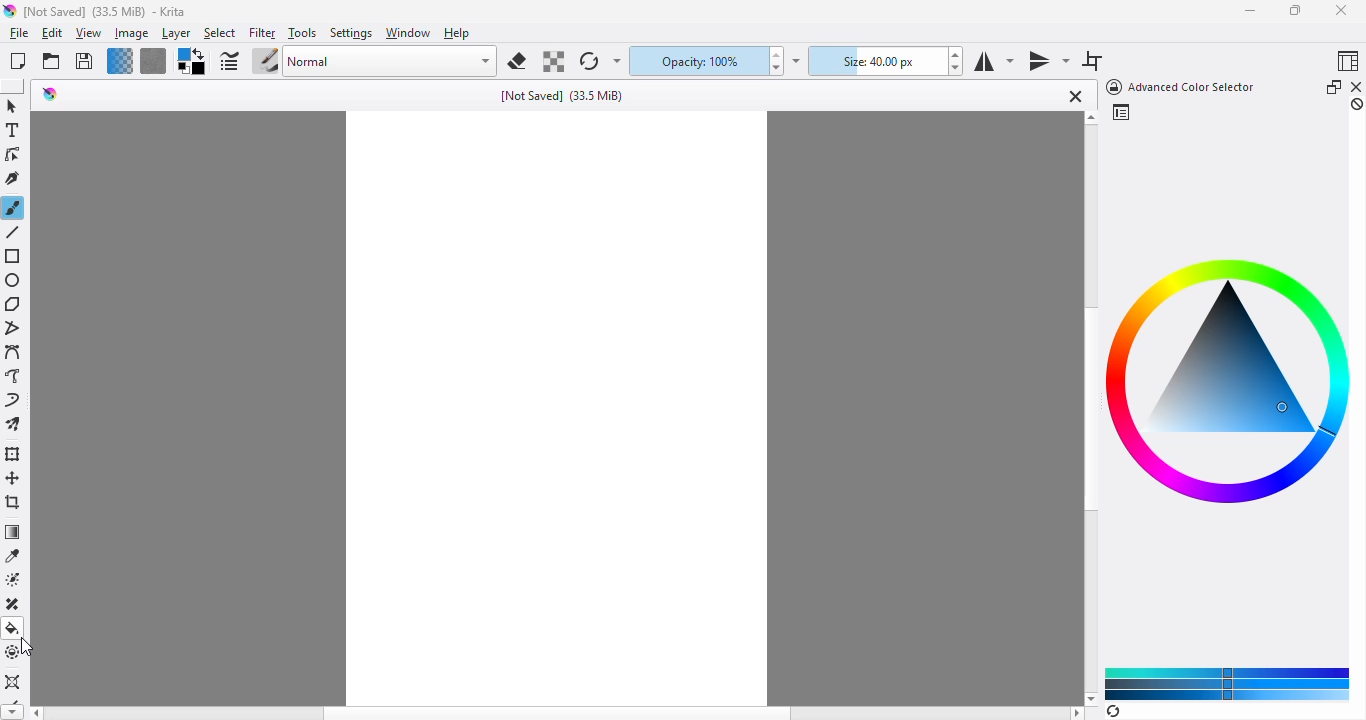 Image resolution: width=1366 pixels, height=720 pixels. What do you see at coordinates (84, 60) in the screenshot?
I see `save` at bounding box center [84, 60].